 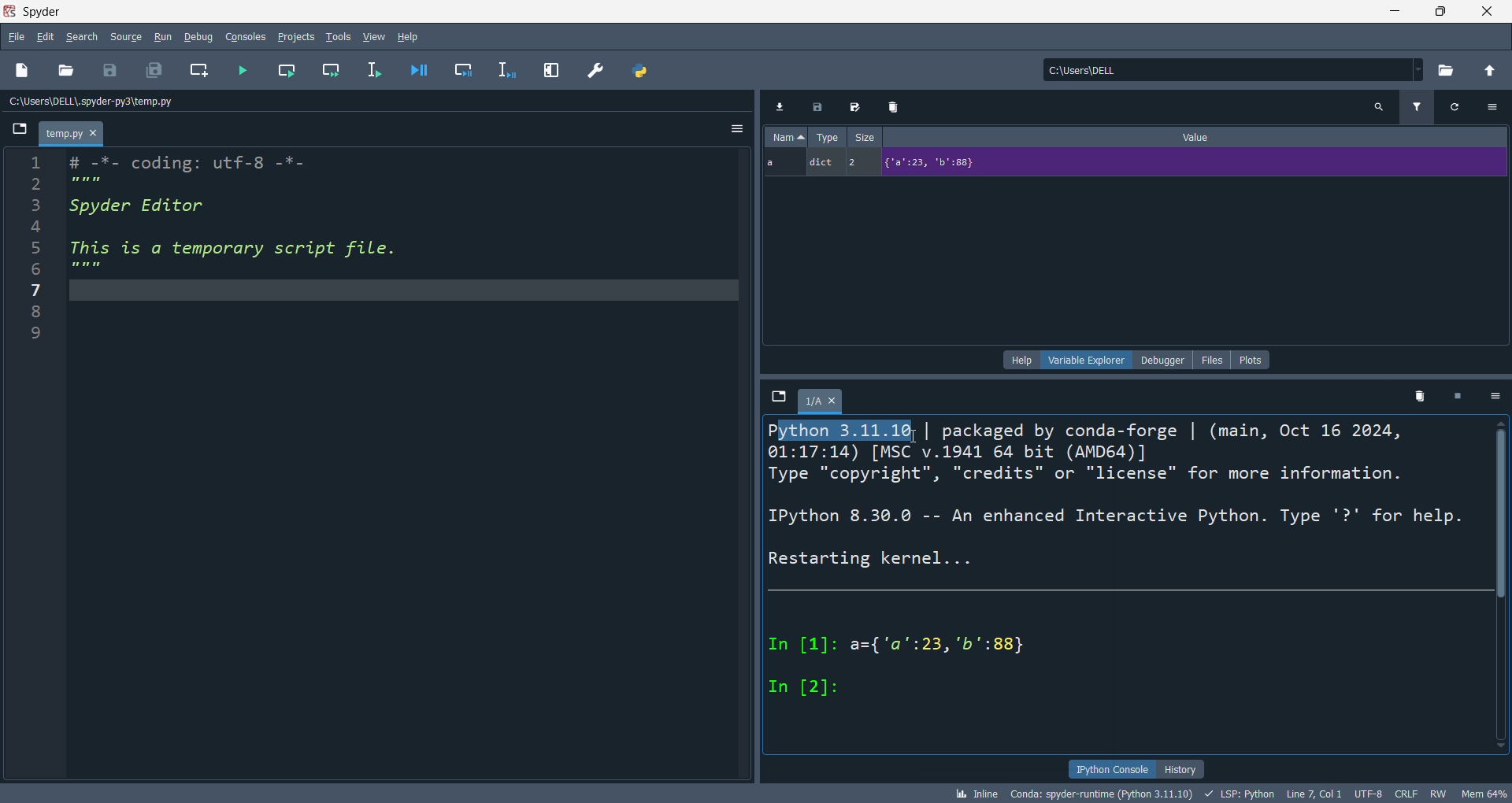 What do you see at coordinates (1437, 793) in the screenshot?
I see `rw` at bounding box center [1437, 793].